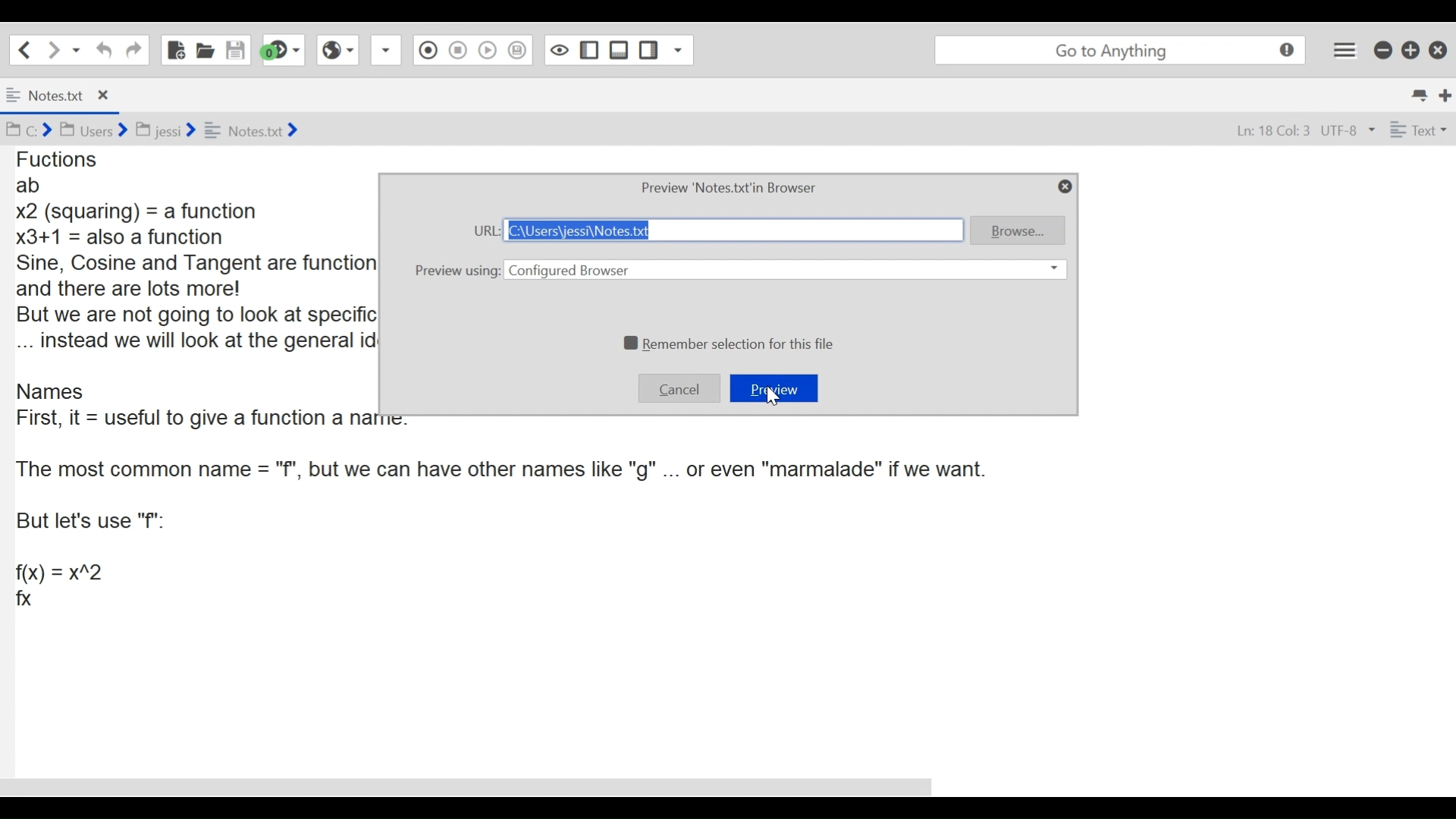  What do you see at coordinates (739, 341) in the screenshot?
I see ` Remember selection for this file` at bounding box center [739, 341].